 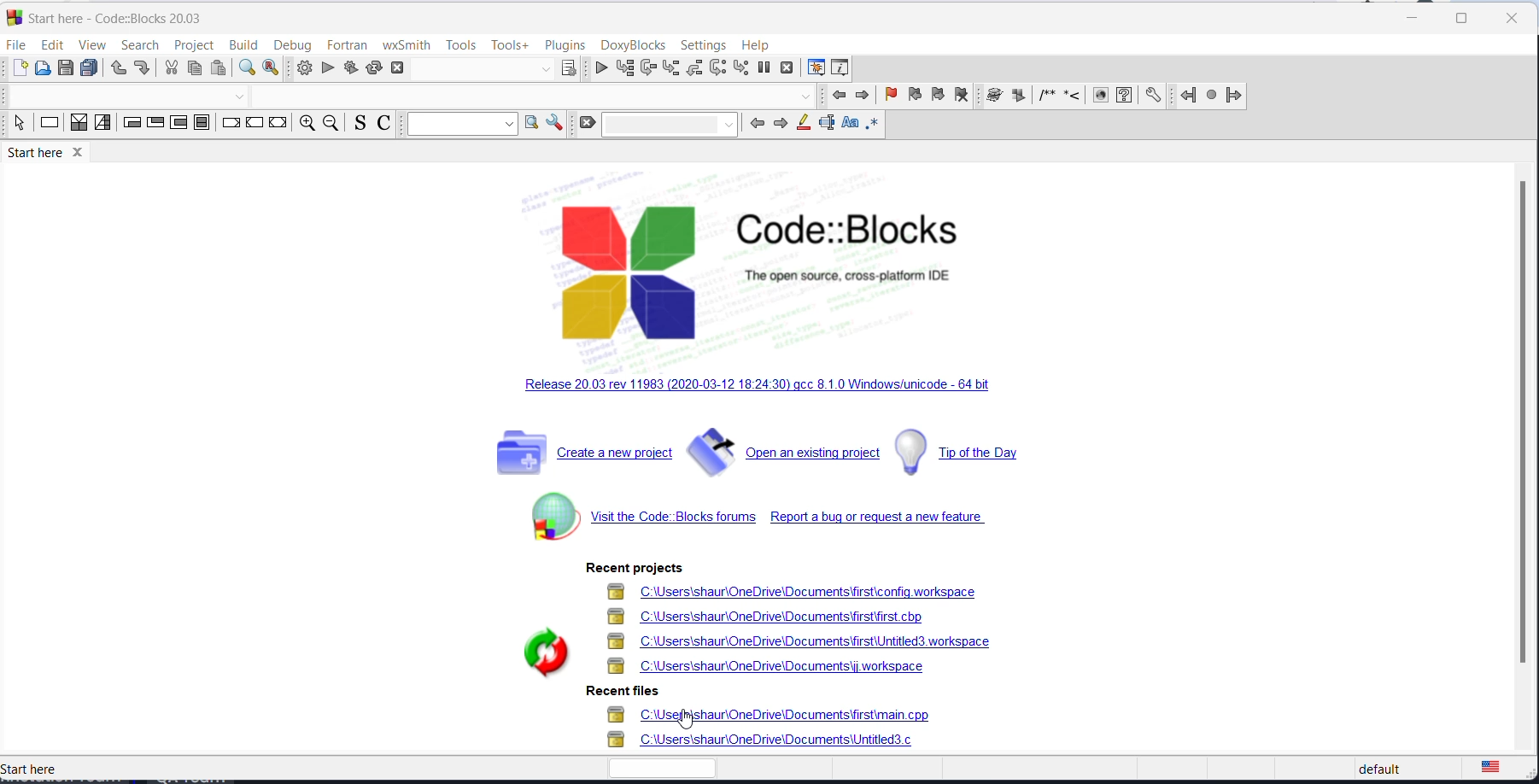 What do you see at coordinates (79, 125) in the screenshot?
I see `decision` at bounding box center [79, 125].